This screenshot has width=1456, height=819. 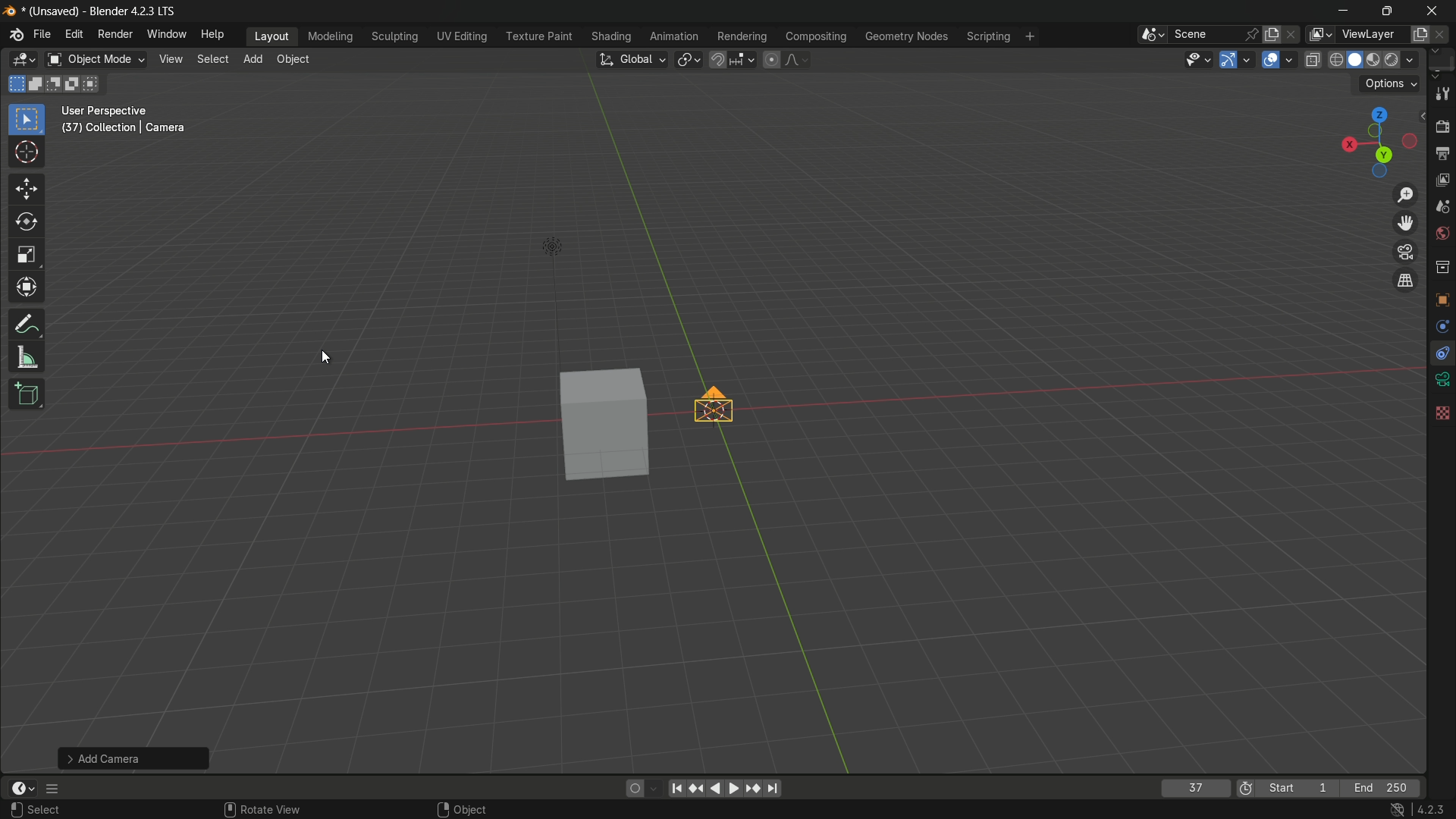 I want to click on logo, so click(x=9, y=9).